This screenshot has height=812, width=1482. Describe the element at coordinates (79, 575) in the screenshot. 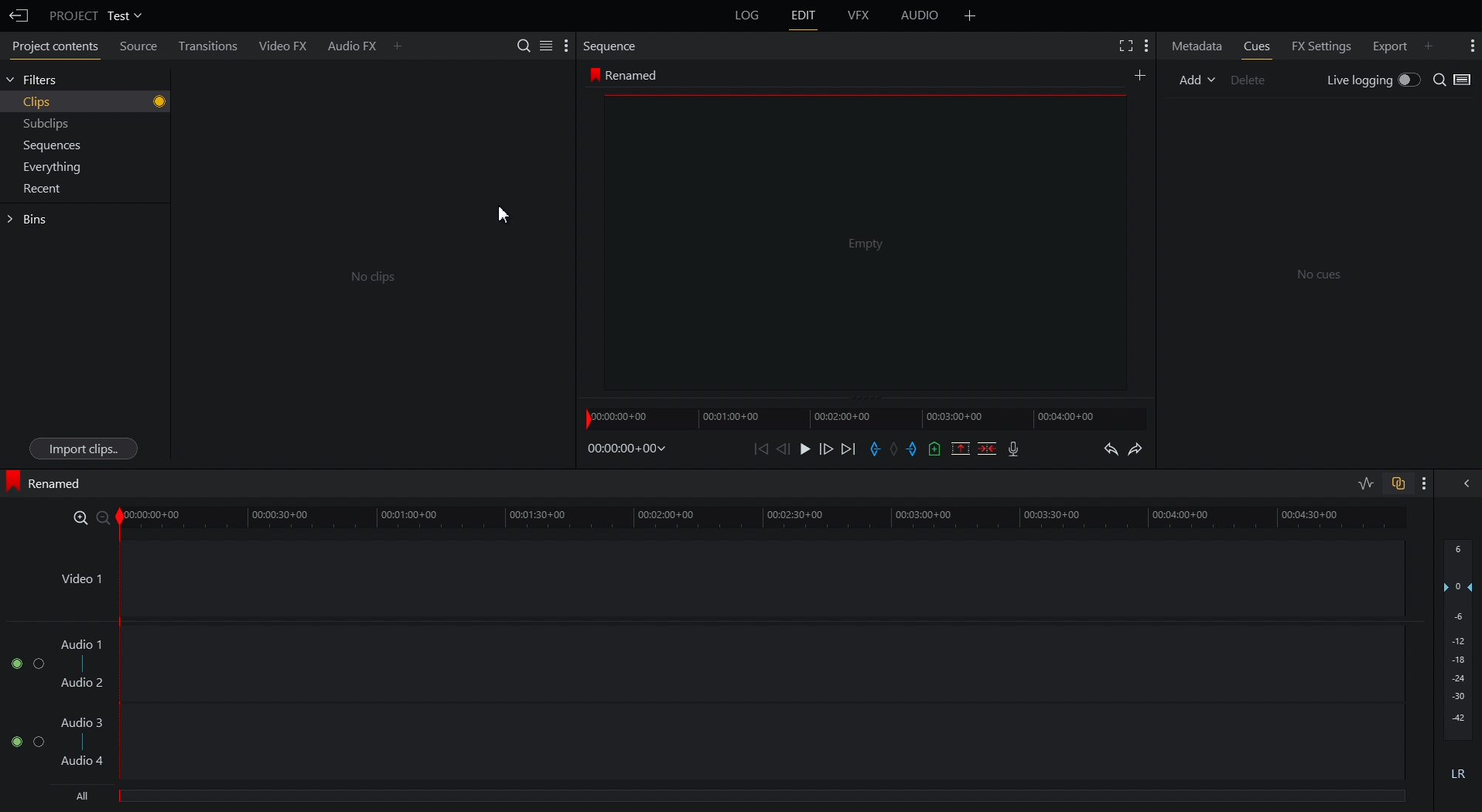

I see `Video 1` at that location.